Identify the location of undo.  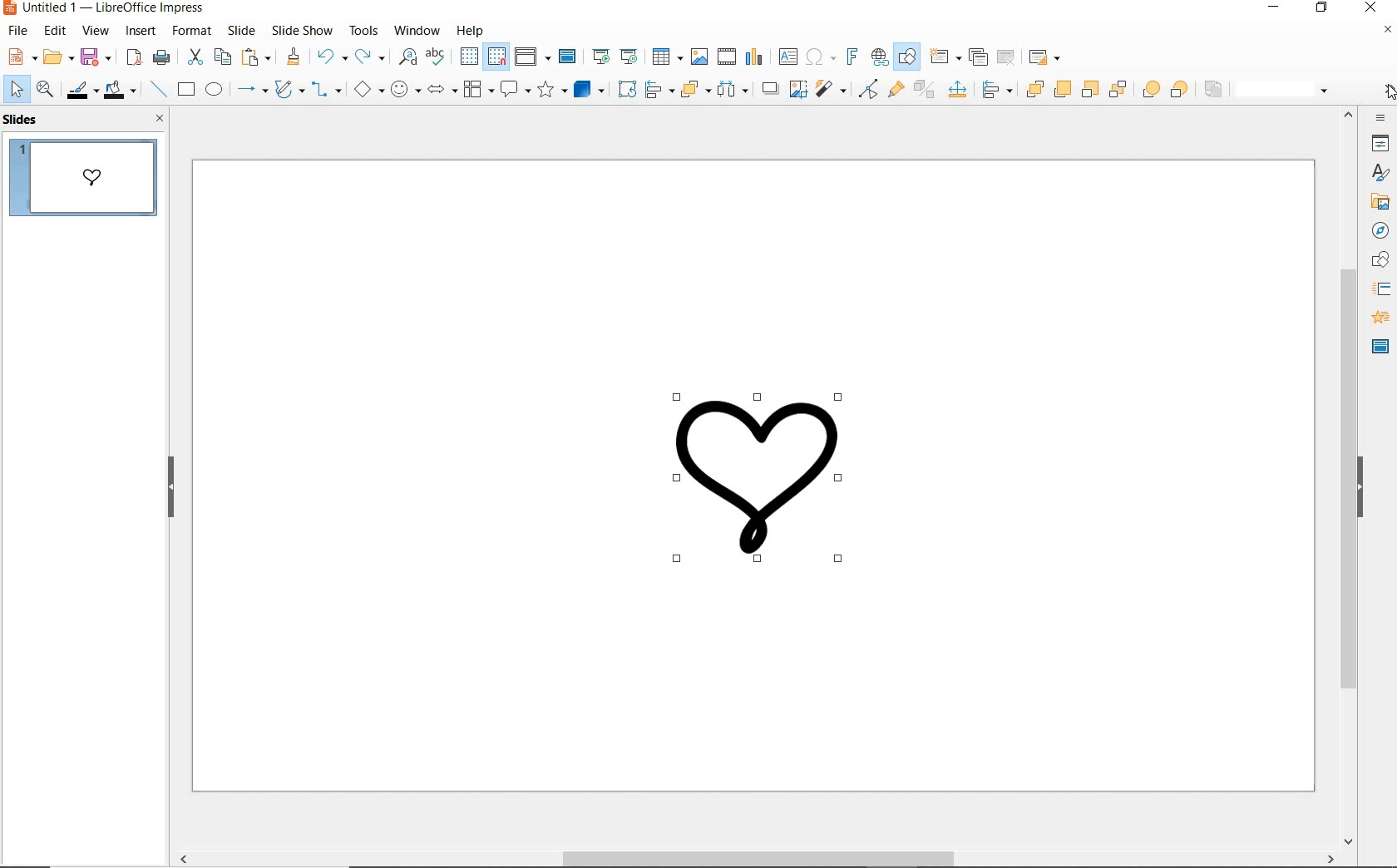
(331, 57).